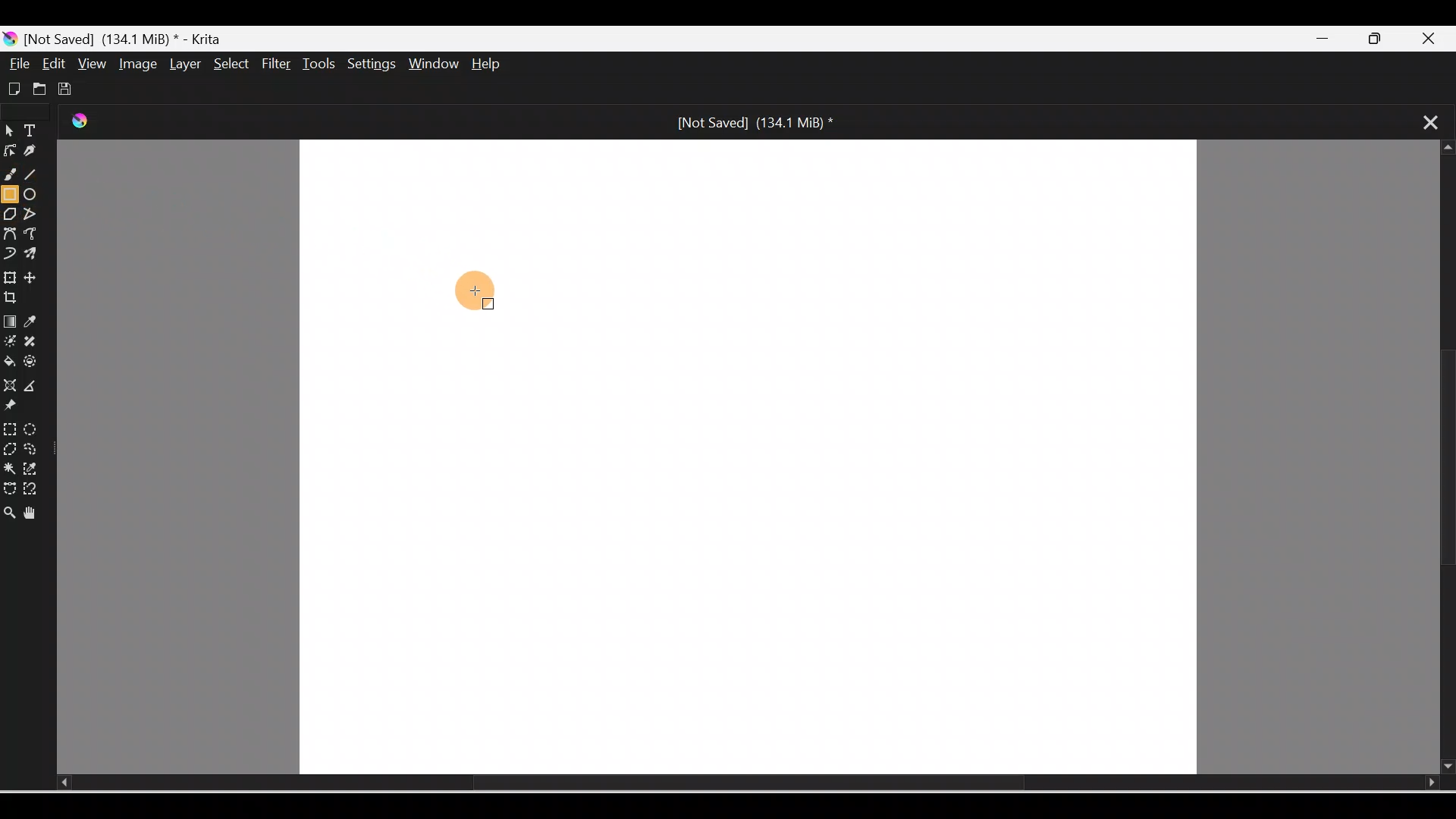 The image size is (1456, 819). What do you see at coordinates (10, 362) in the screenshot?
I see `Fill a contiguous area of color with color` at bounding box center [10, 362].